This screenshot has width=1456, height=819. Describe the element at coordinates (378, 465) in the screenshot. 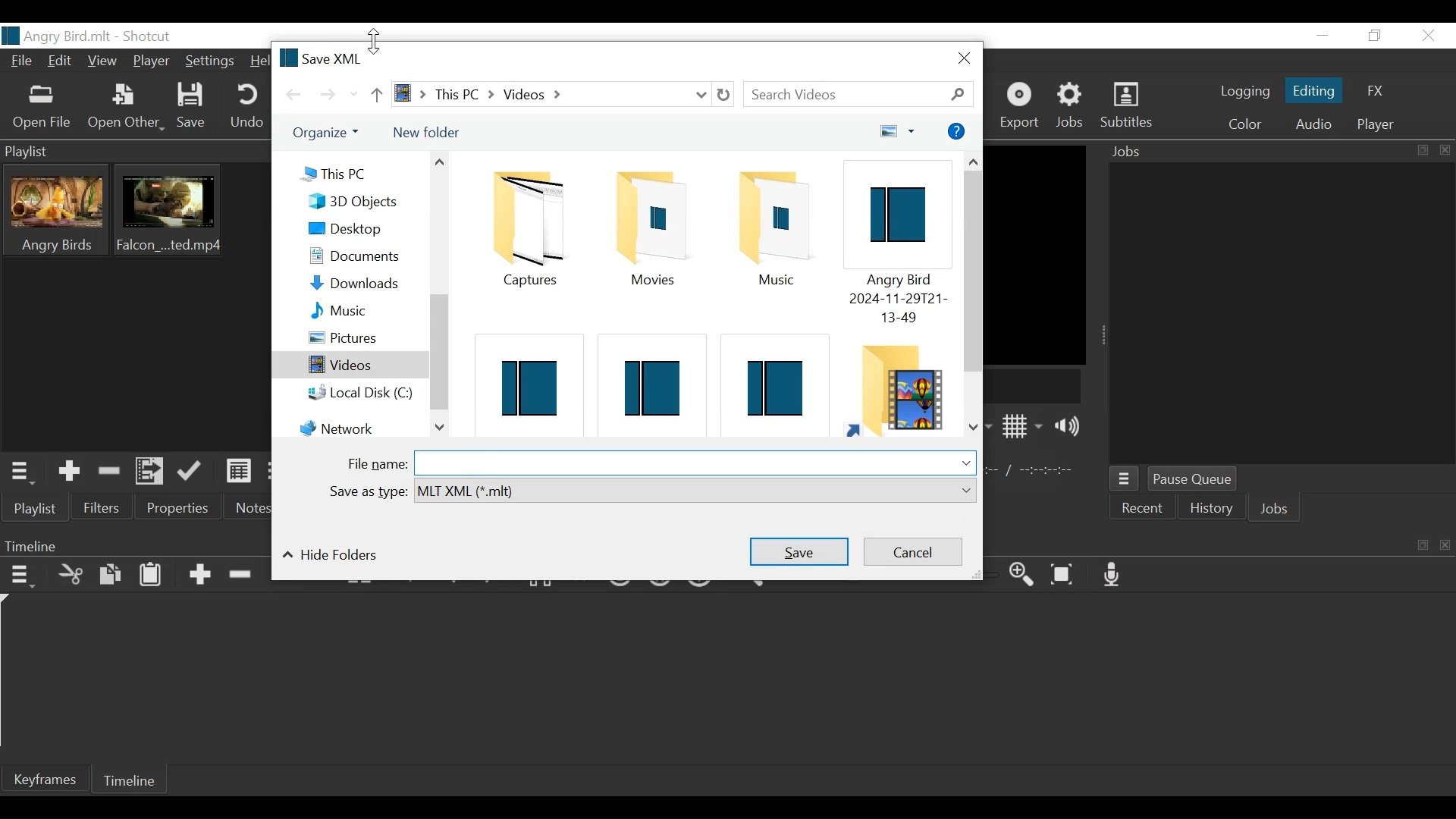

I see `File name` at that location.